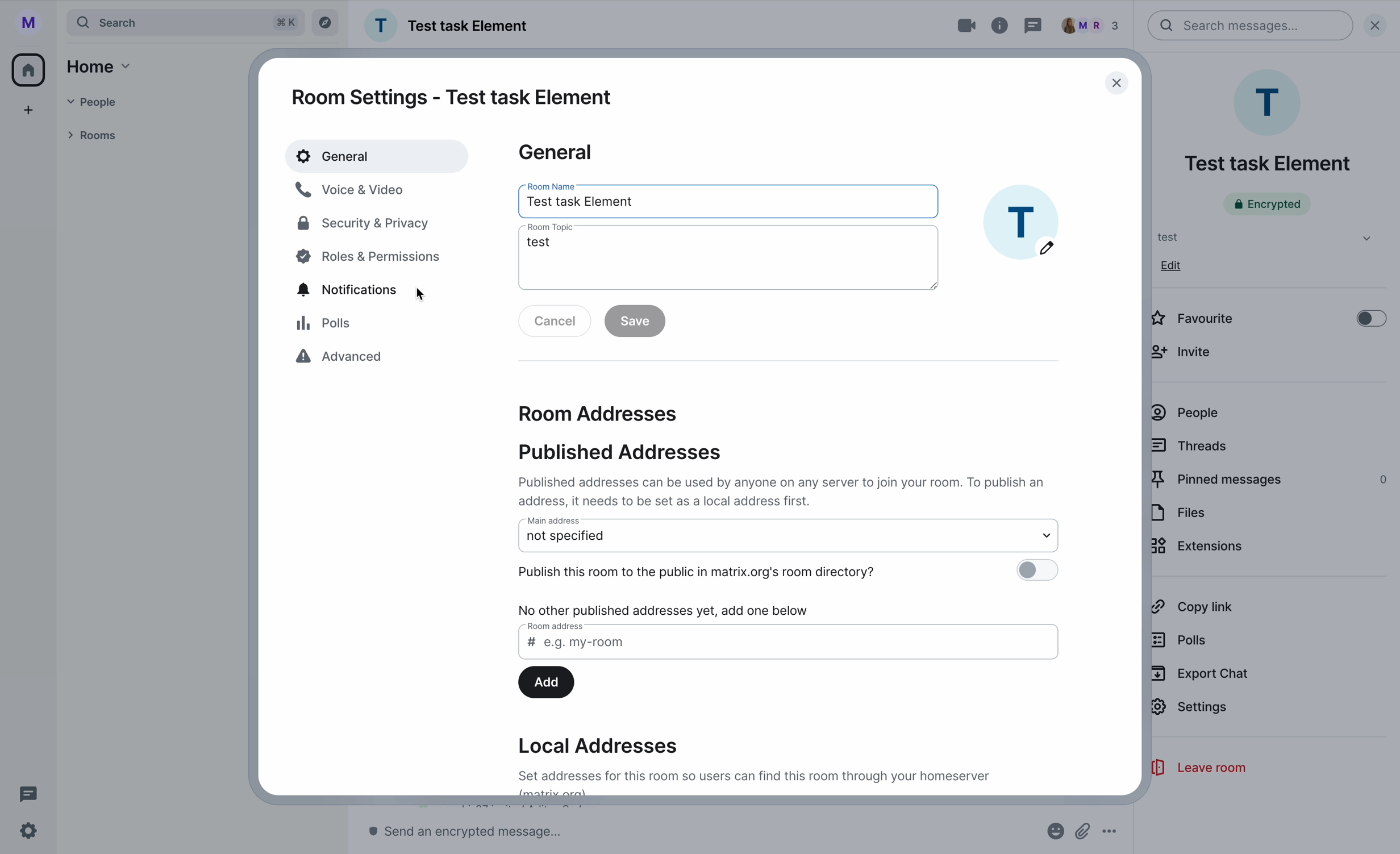 This screenshot has height=854, width=1400. Describe the element at coordinates (1117, 82) in the screenshot. I see `close window` at that location.